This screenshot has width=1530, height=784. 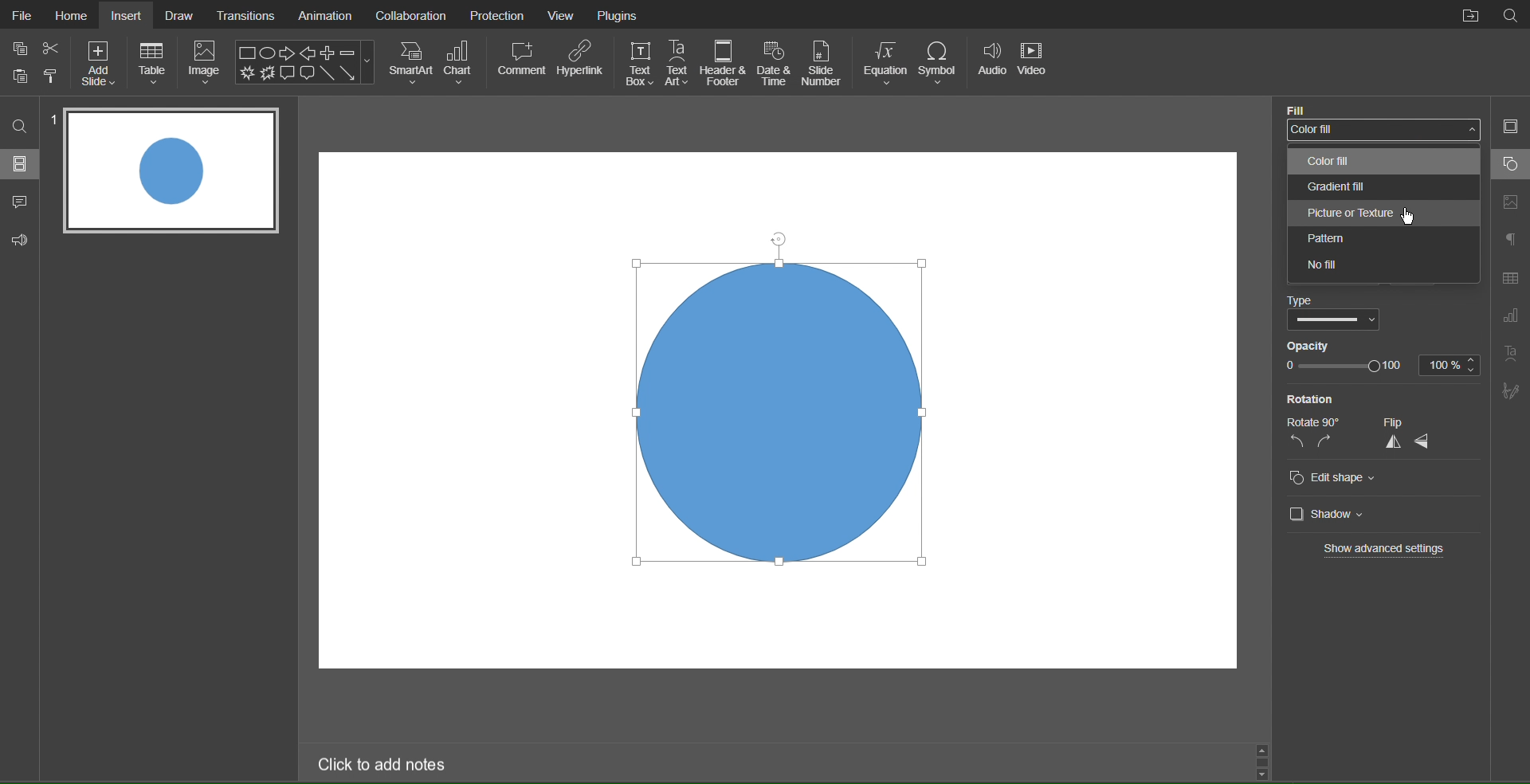 I want to click on Shadow, so click(x=1331, y=515).